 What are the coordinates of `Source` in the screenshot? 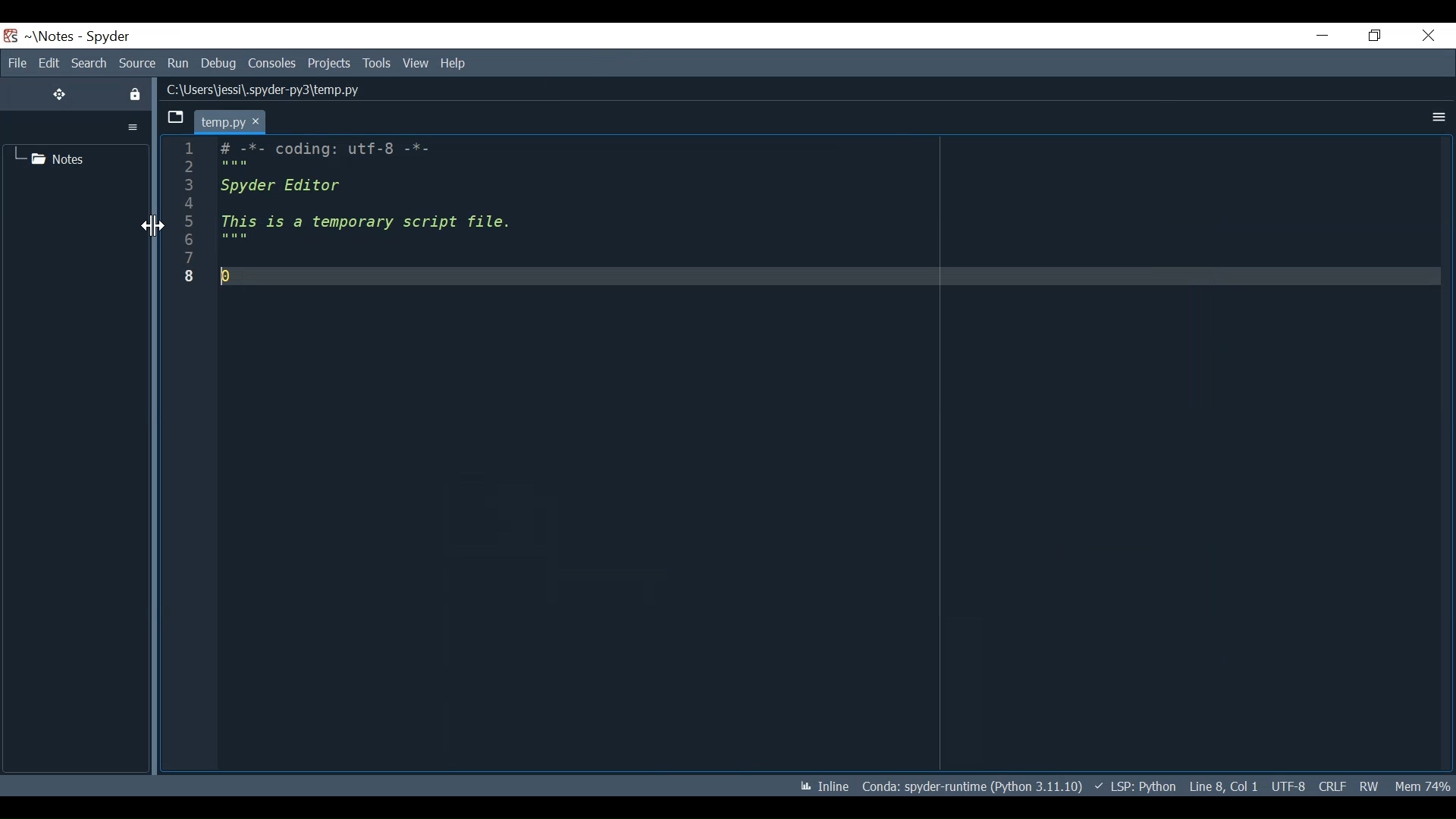 It's located at (137, 63).